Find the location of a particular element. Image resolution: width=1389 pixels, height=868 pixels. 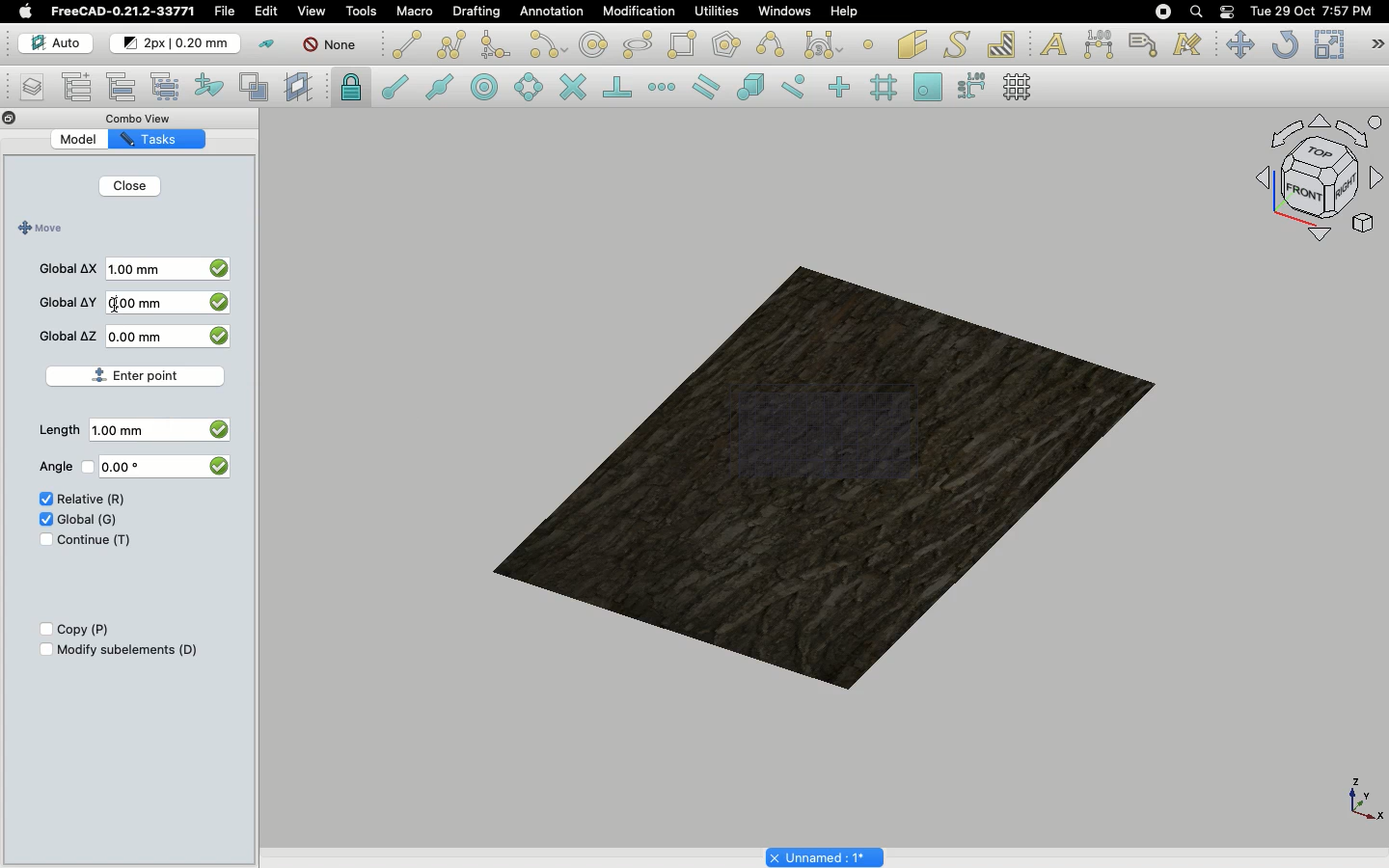

Line is located at coordinates (407, 44).